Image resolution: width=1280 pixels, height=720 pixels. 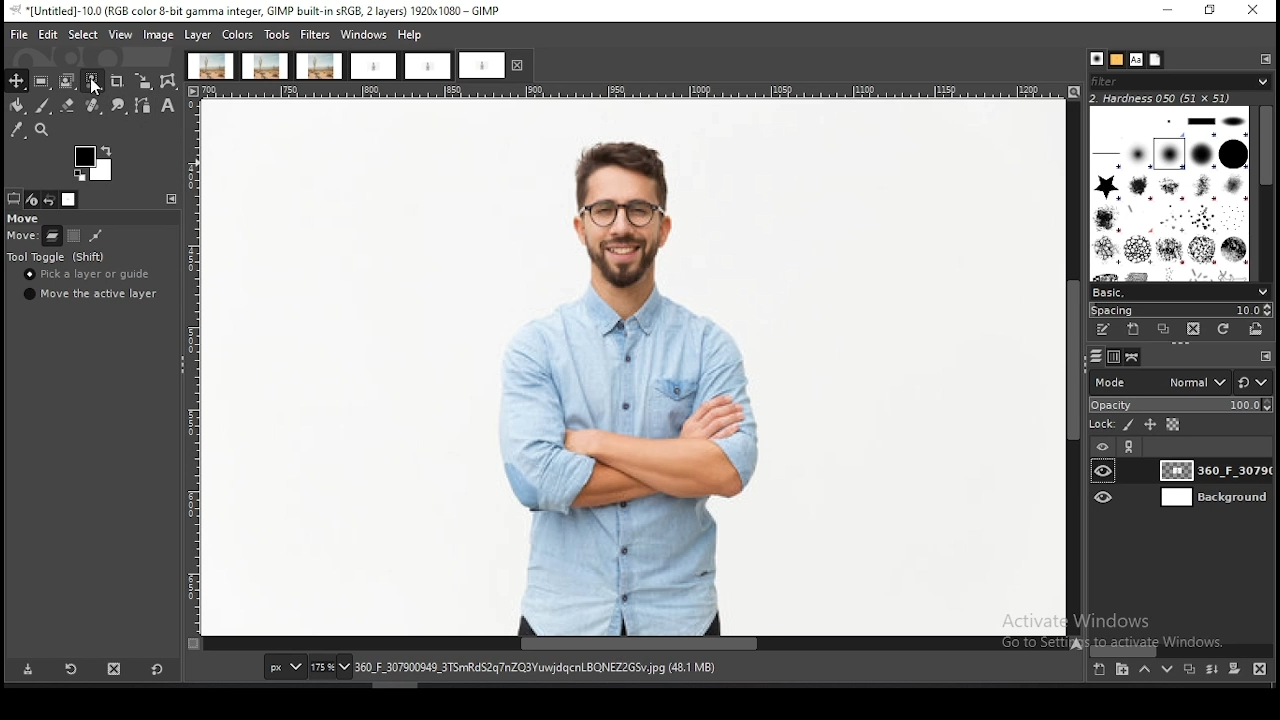 I want to click on smudge tool, so click(x=119, y=106).